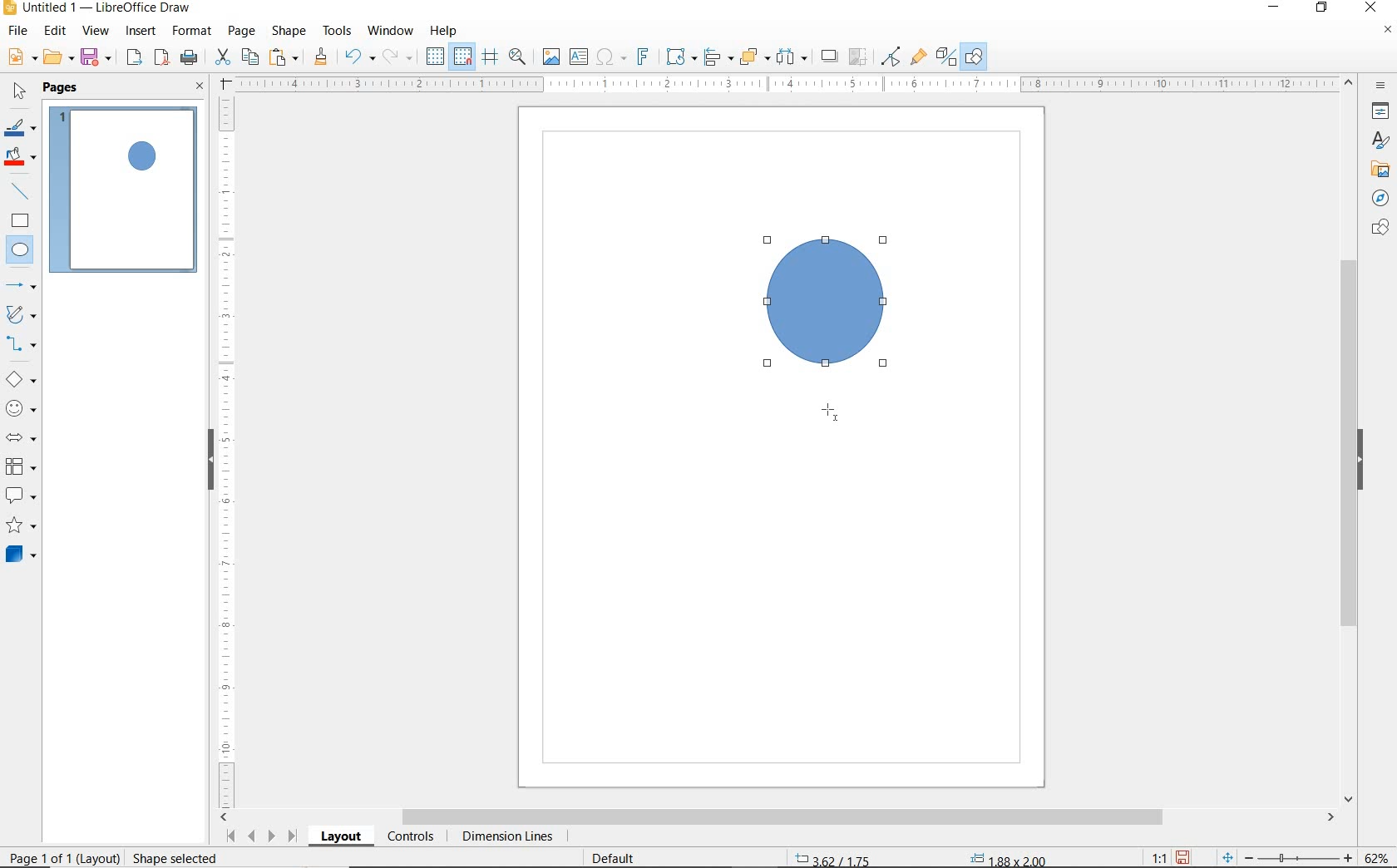 This screenshot has width=1397, height=868. Describe the element at coordinates (143, 32) in the screenshot. I see `INSERT` at that location.